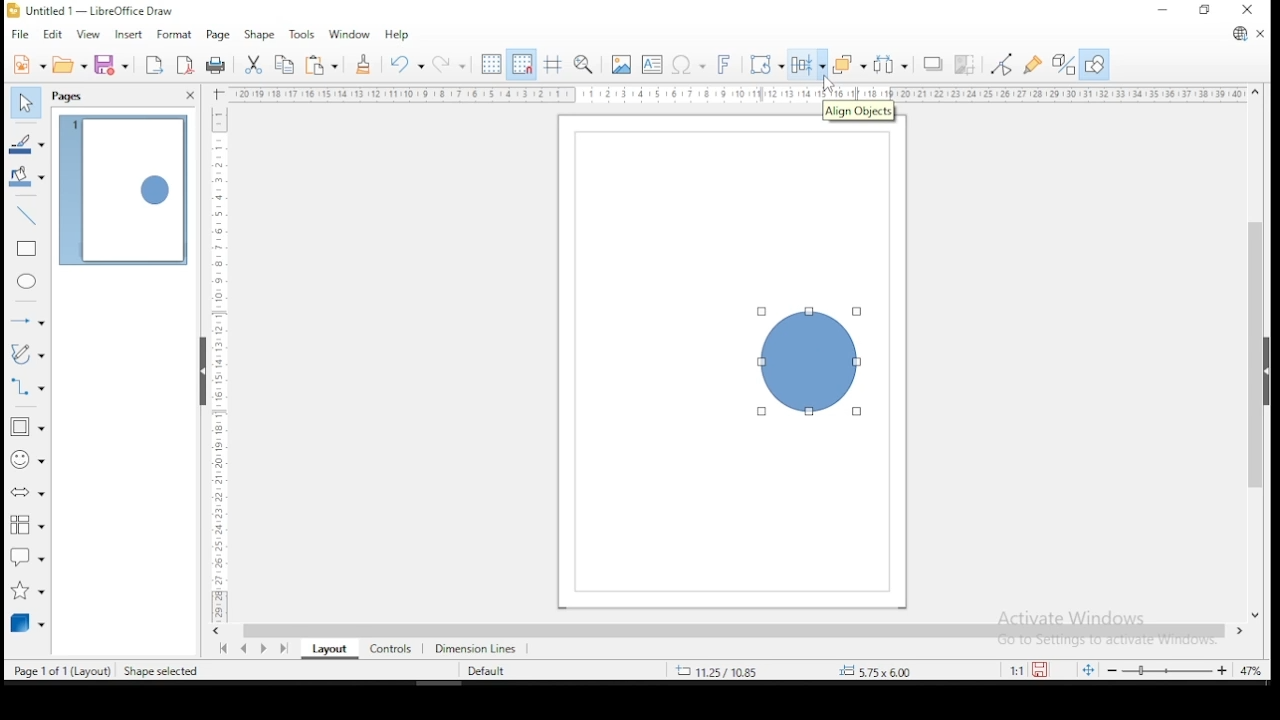  I want to click on callout shapes, so click(28, 556).